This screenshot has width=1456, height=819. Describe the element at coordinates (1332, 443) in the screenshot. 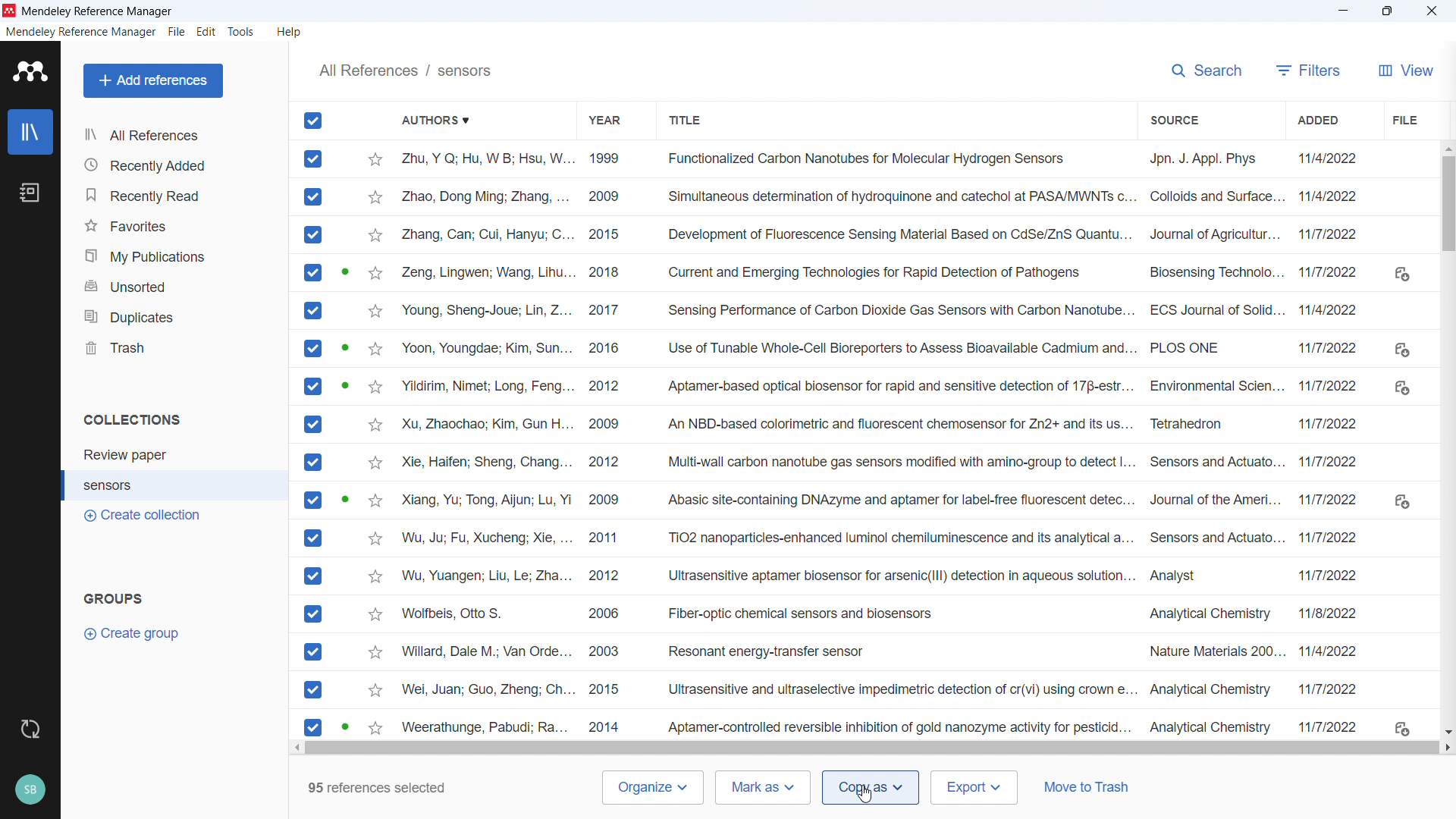

I see `Date of addition of individual entries` at that location.